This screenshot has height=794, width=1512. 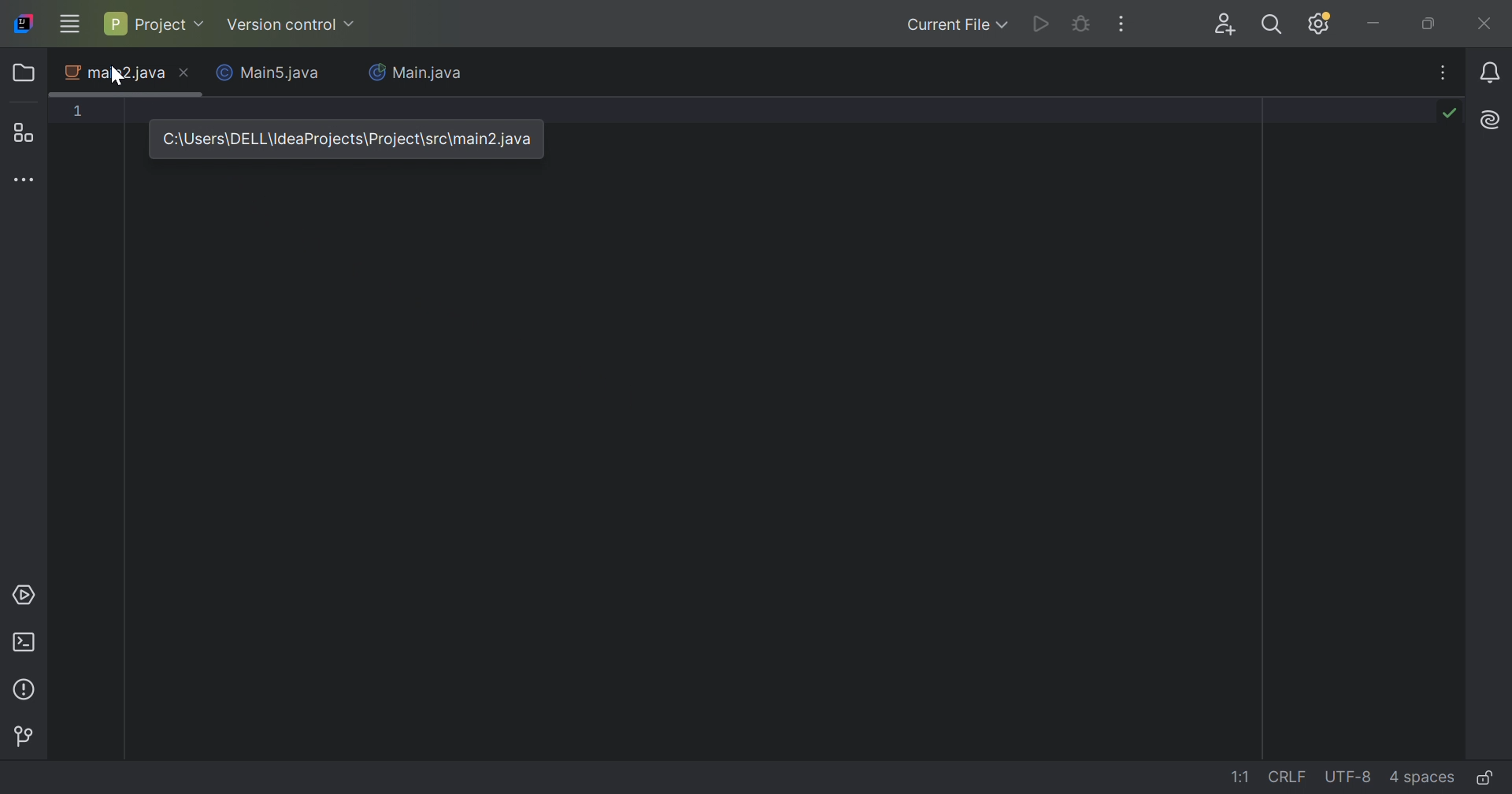 I want to click on IntelliJ IDEA icon, so click(x=24, y=24).